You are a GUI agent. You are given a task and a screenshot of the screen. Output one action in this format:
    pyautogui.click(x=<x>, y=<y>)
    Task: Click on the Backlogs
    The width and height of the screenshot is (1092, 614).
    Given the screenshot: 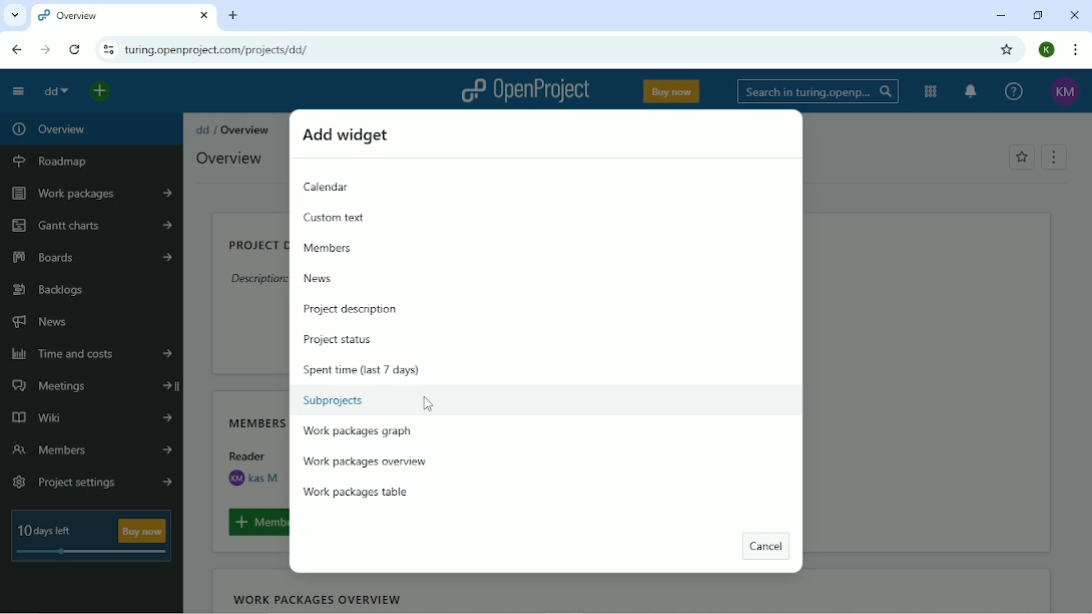 What is the action you would take?
    pyautogui.click(x=51, y=290)
    